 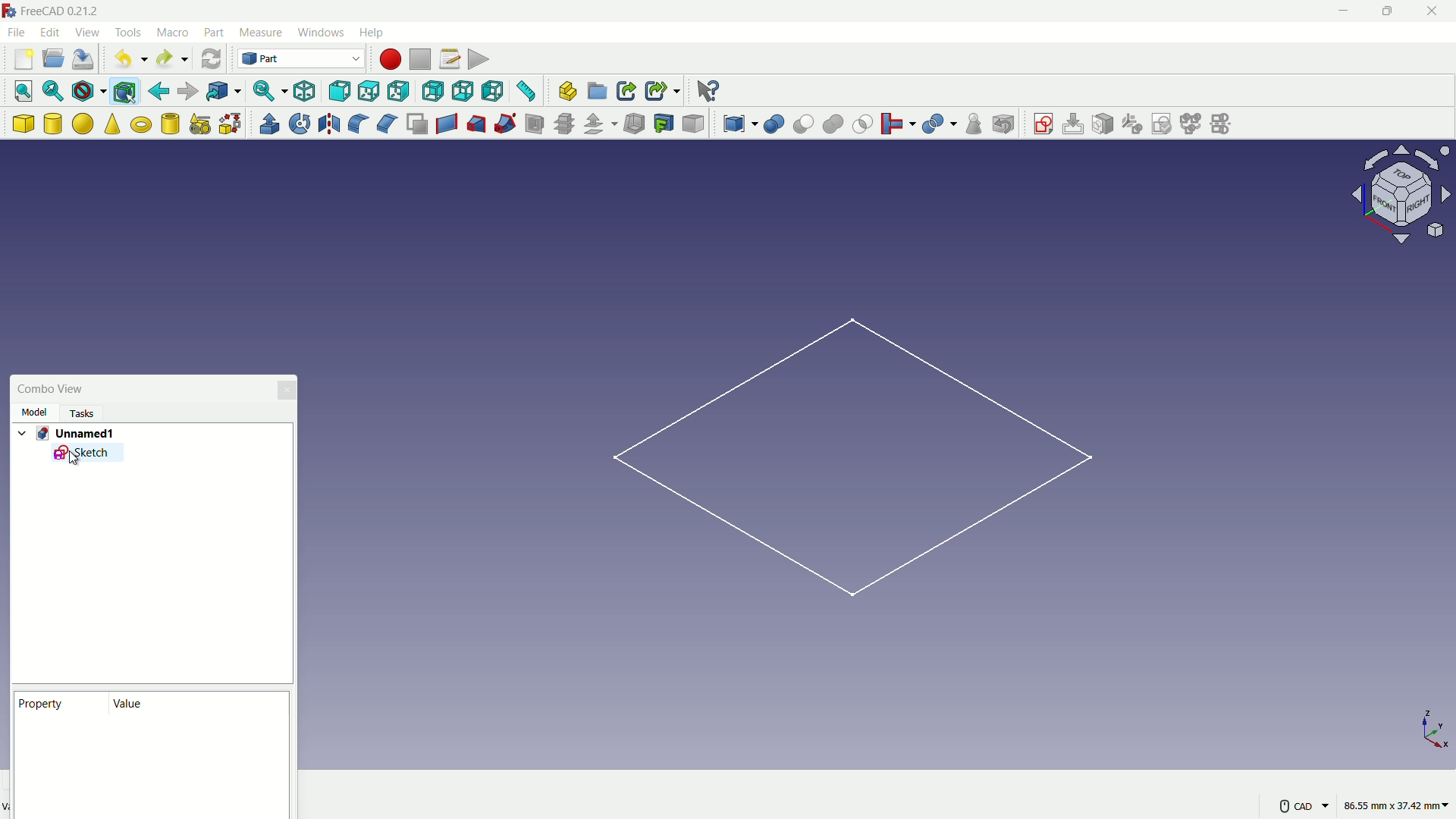 I want to click on property, so click(x=42, y=702).